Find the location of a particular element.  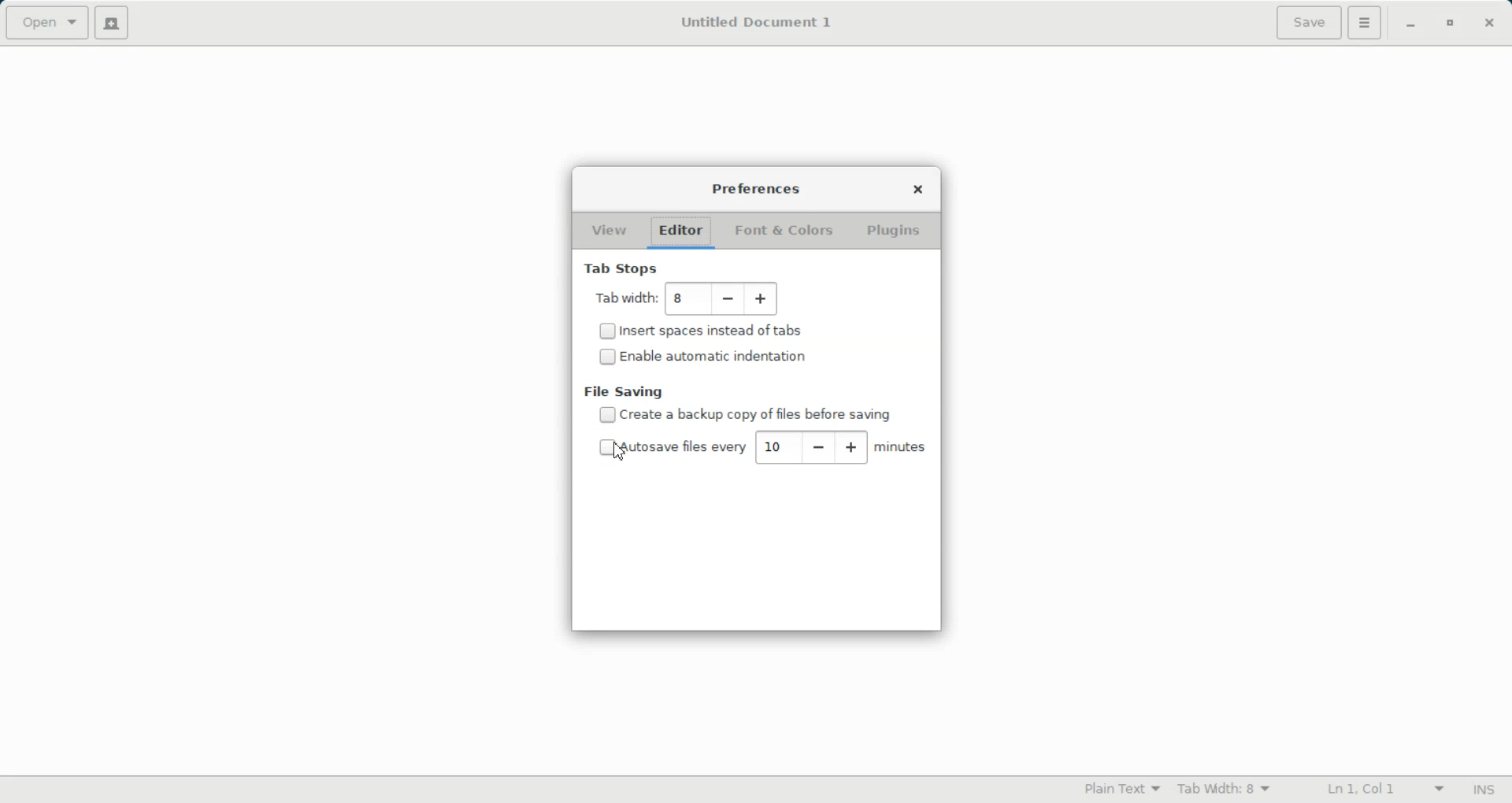

Plain Text is located at coordinates (1122, 789).